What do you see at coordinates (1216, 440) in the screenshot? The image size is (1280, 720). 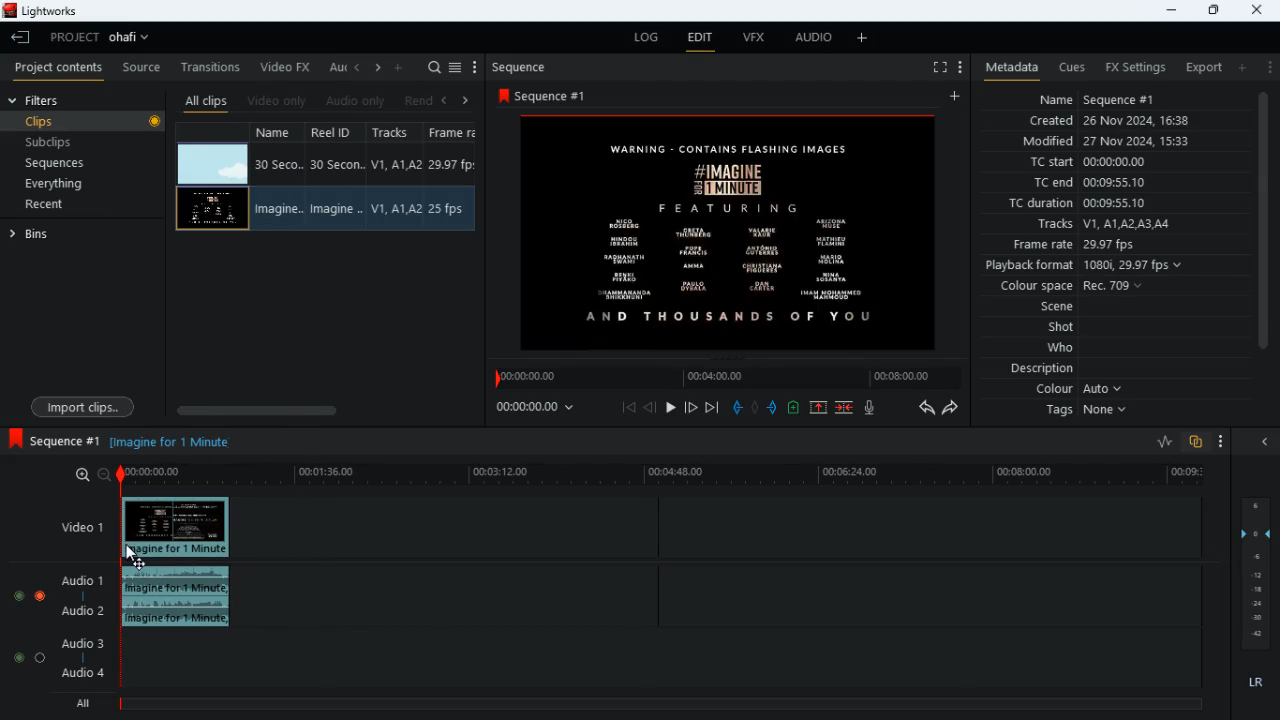 I see `more` at bounding box center [1216, 440].